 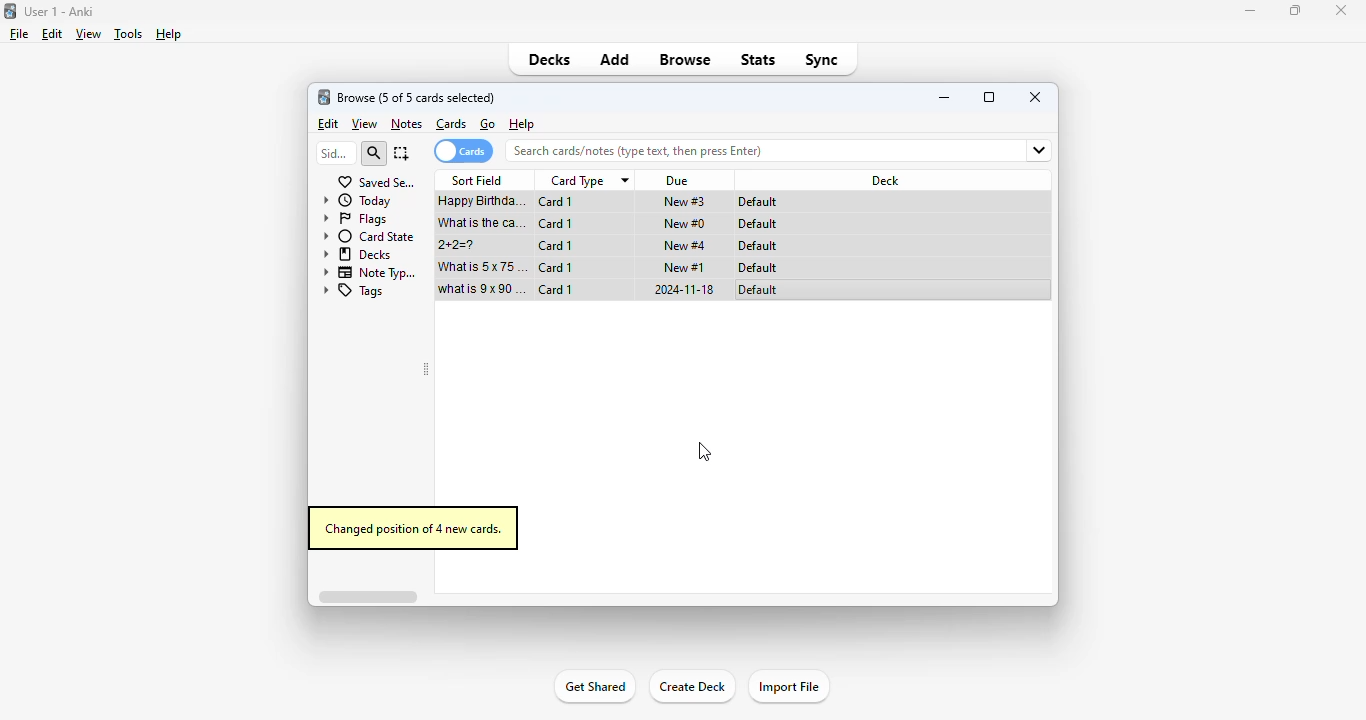 I want to click on logo, so click(x=9, y=11).